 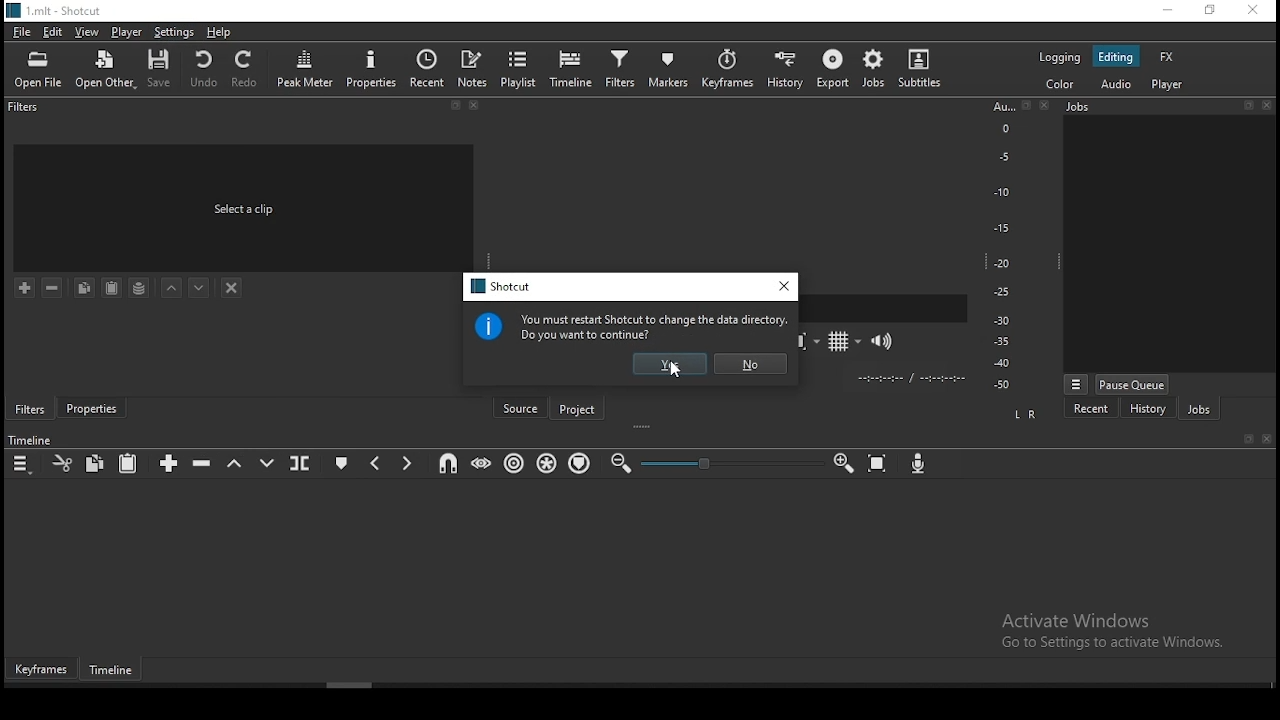 I want to click on bookmark, so click(x=455, y=107).